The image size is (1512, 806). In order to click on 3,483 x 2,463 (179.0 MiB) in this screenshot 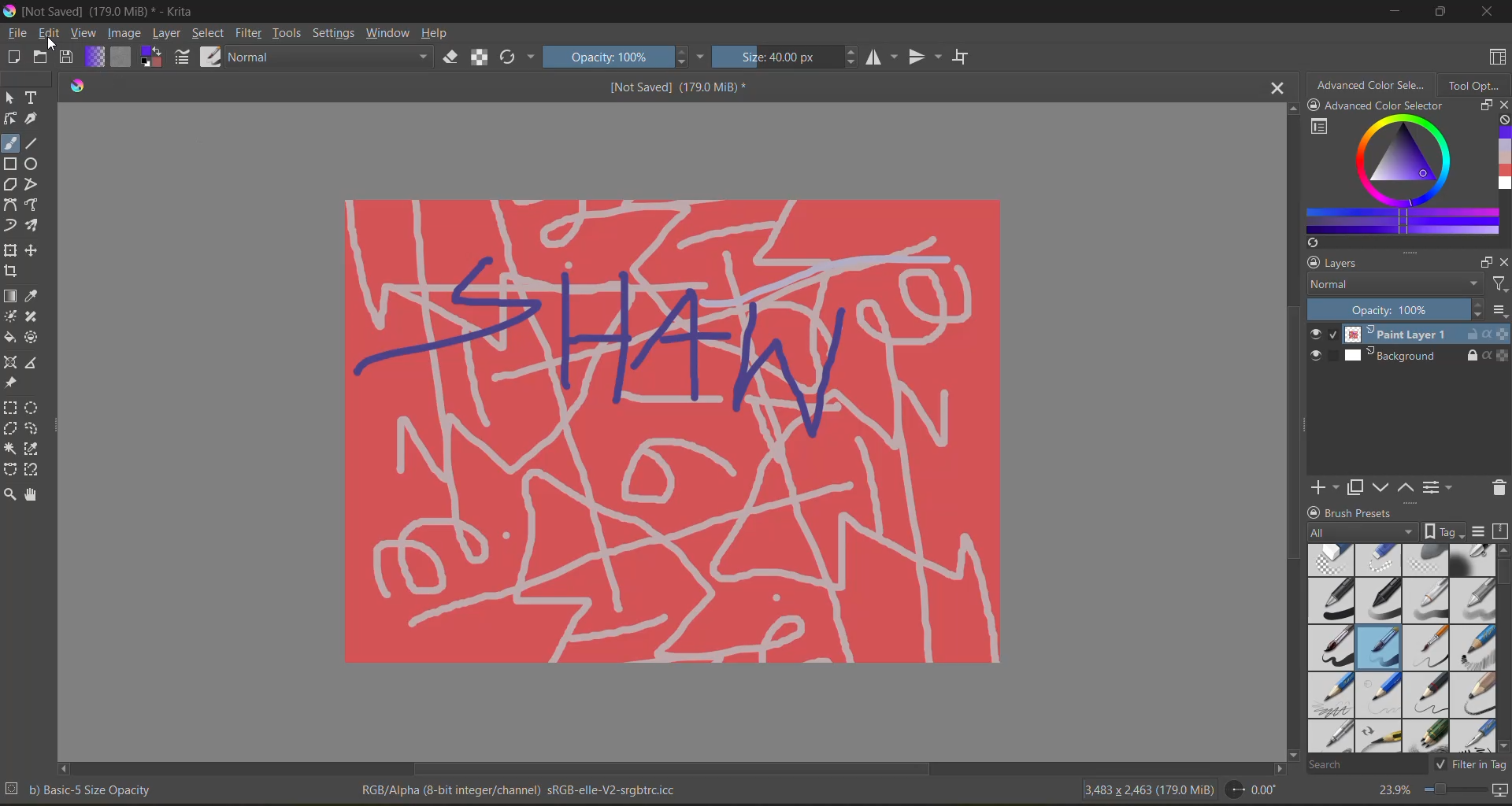, I will do `click(1148, 789)`.